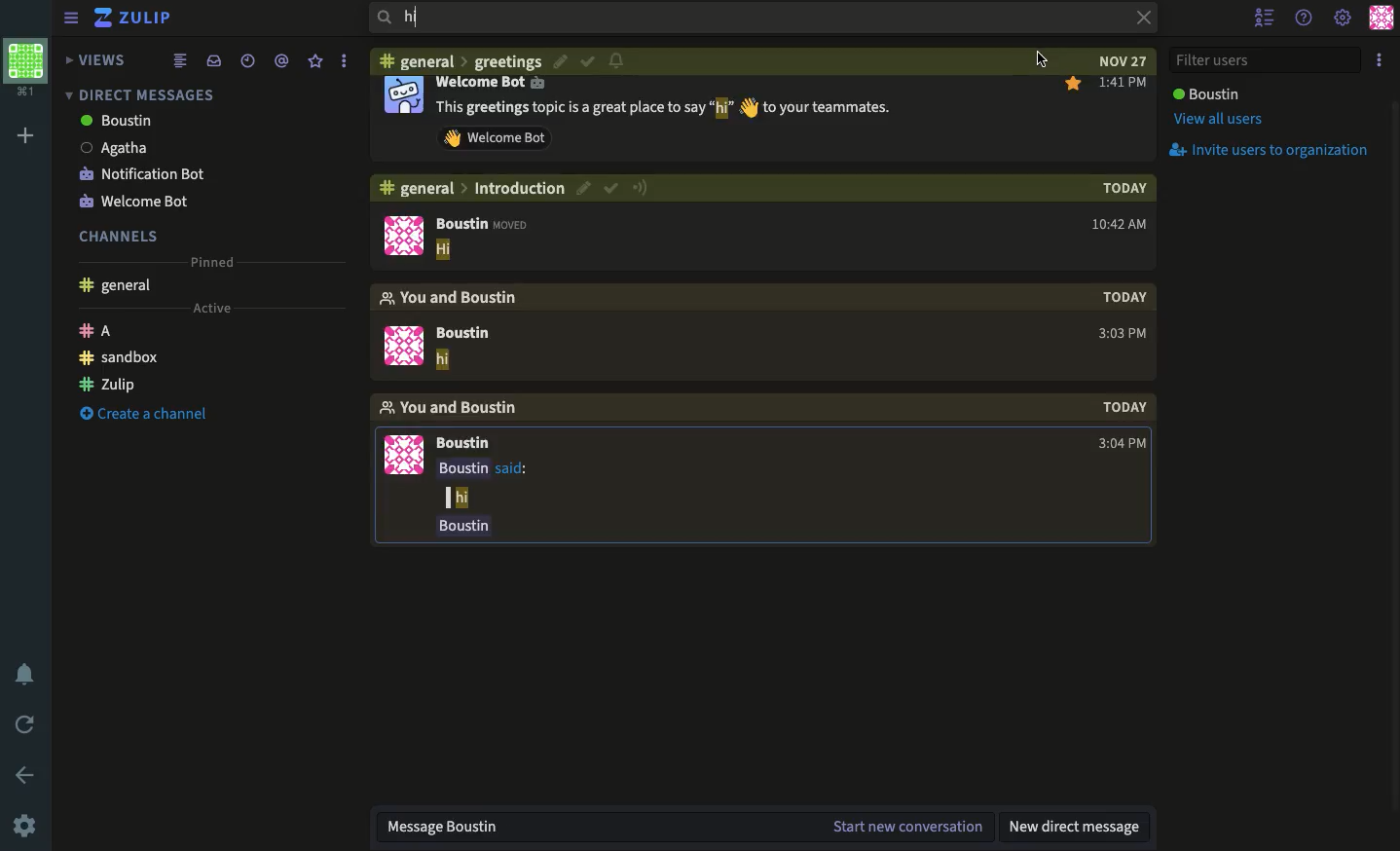 Image resolution: width=1400 pixels, height=851 pixels. I want to click on notifications, so click(617, 59).